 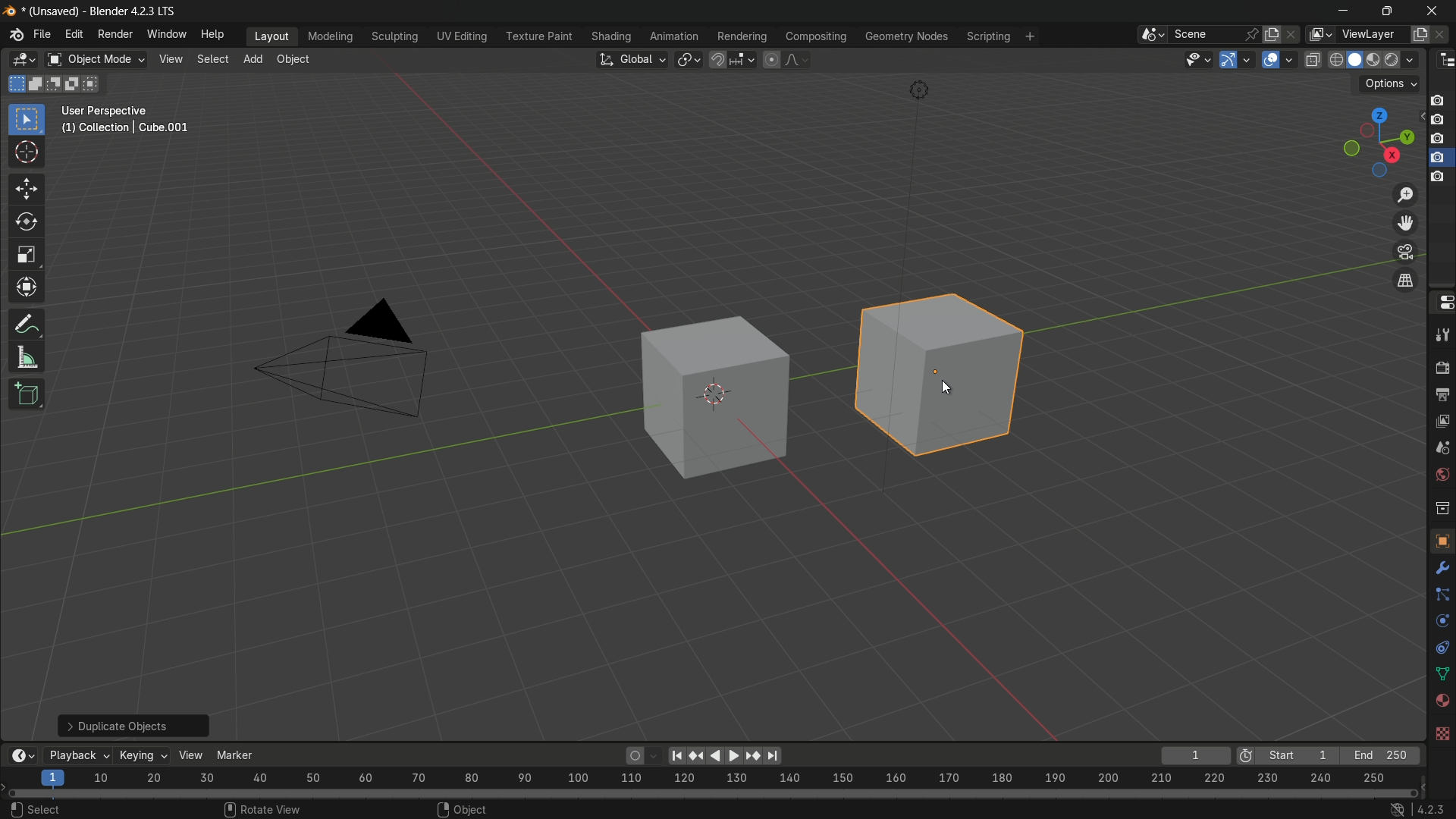 I want to click on object tab, so click(x=297, y=59).